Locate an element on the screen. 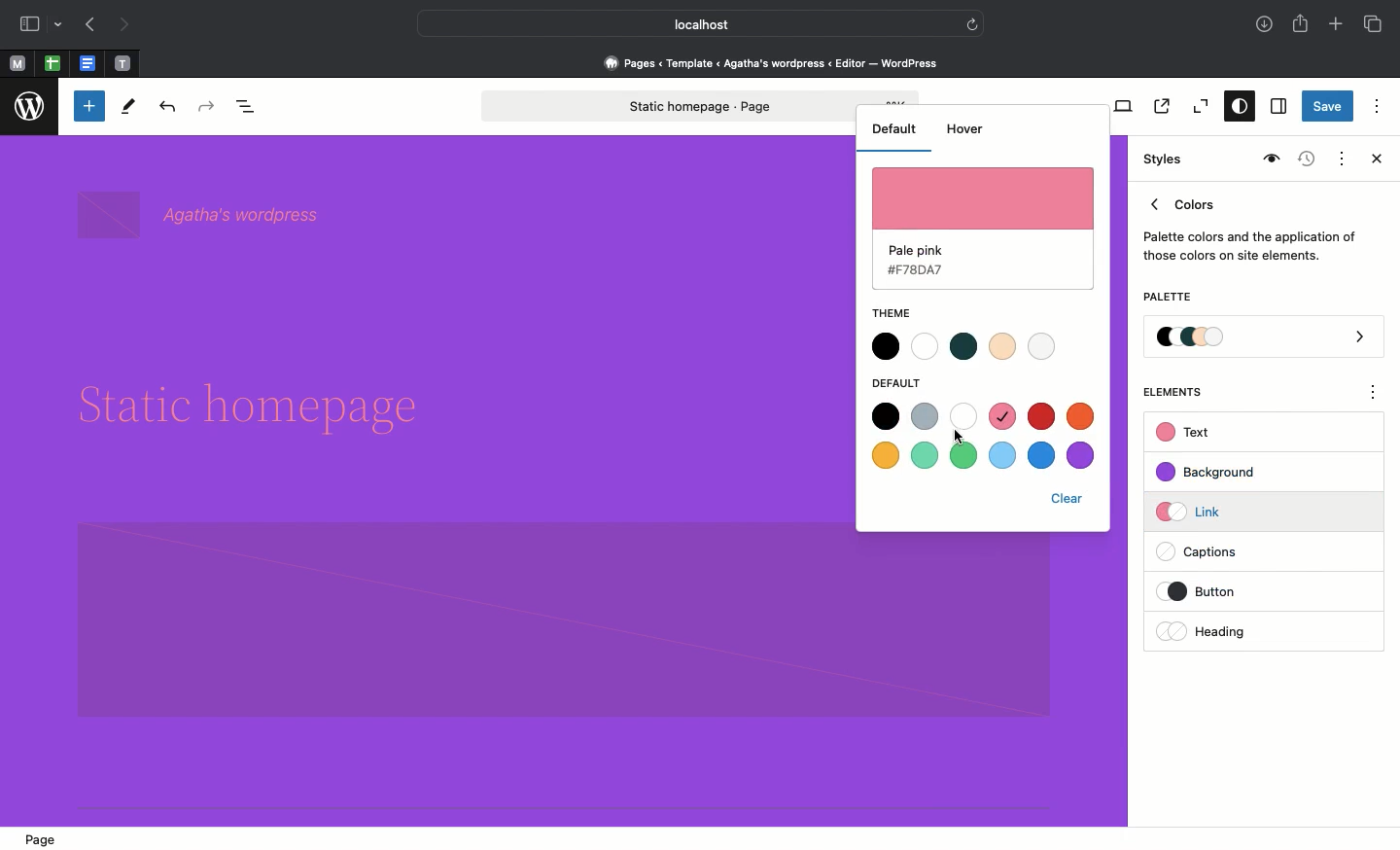 Image resolution: width=1400 pixels, height=850 pixels. Headline is located at coordinates (255, 400).